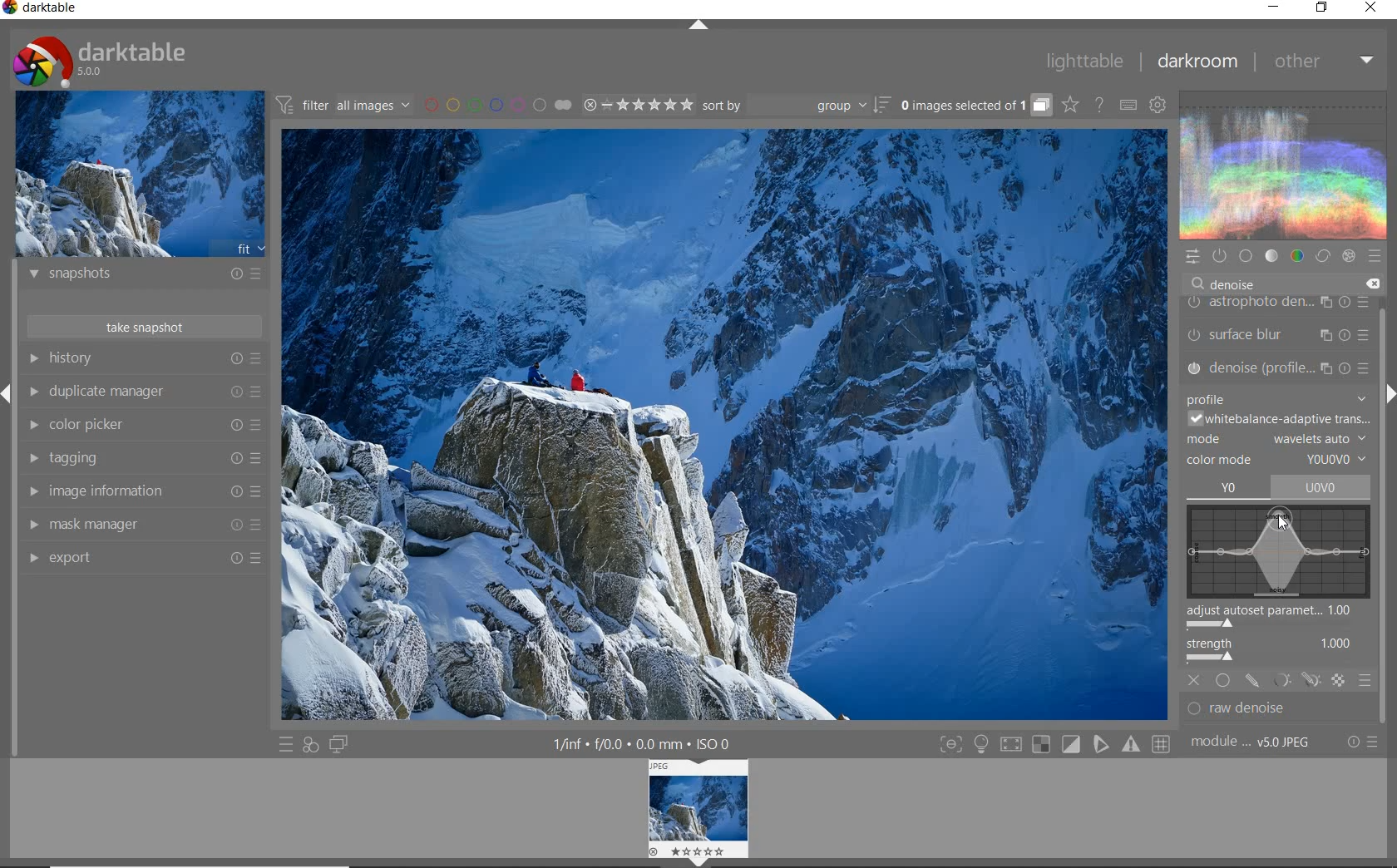 This screenshot has width=1397, height=868. I want to click on DENOISE, so click(1229, 284).